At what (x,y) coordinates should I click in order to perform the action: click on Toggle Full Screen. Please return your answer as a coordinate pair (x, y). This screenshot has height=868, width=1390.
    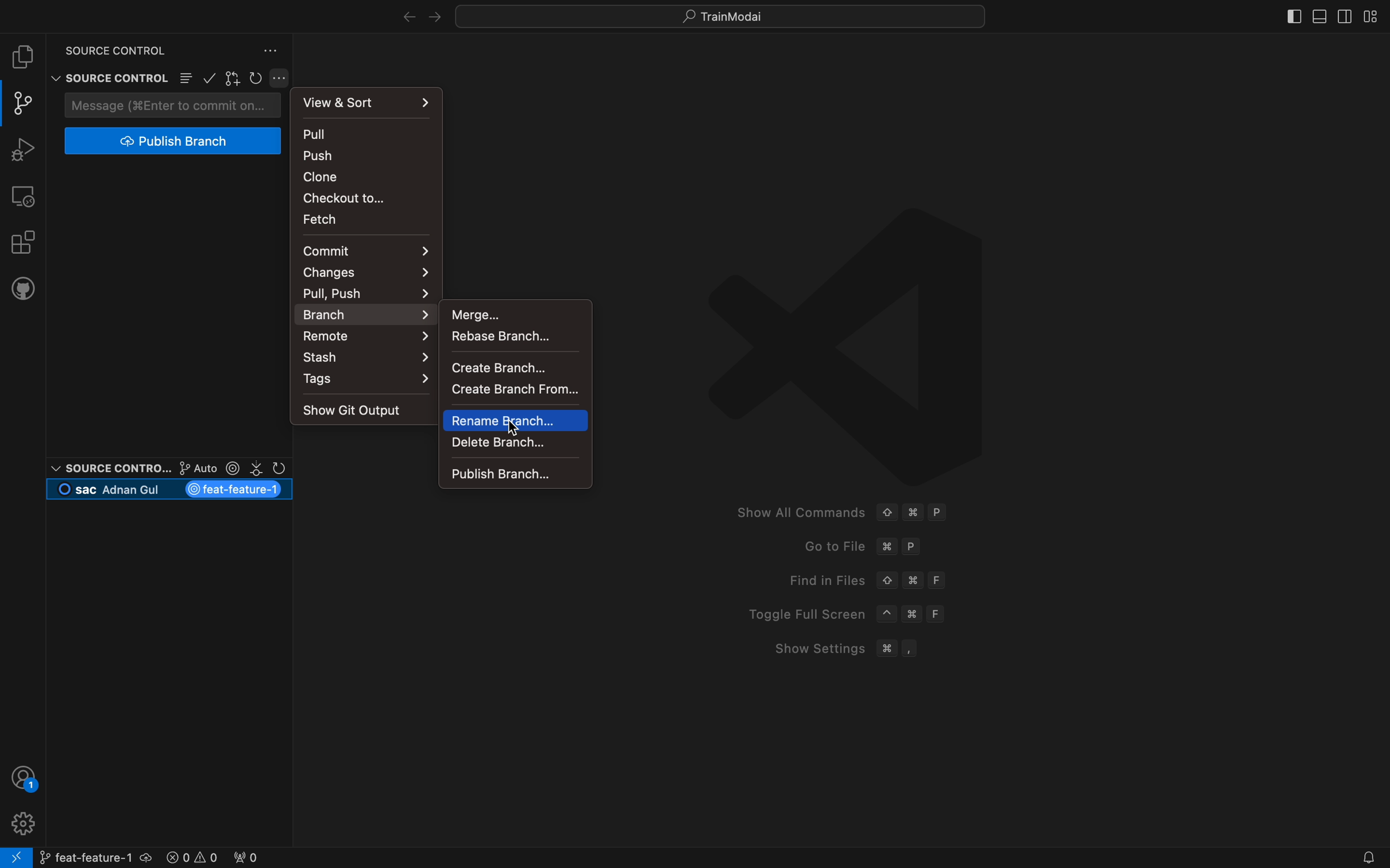
    Looking at the image, I should click on (799, 614).